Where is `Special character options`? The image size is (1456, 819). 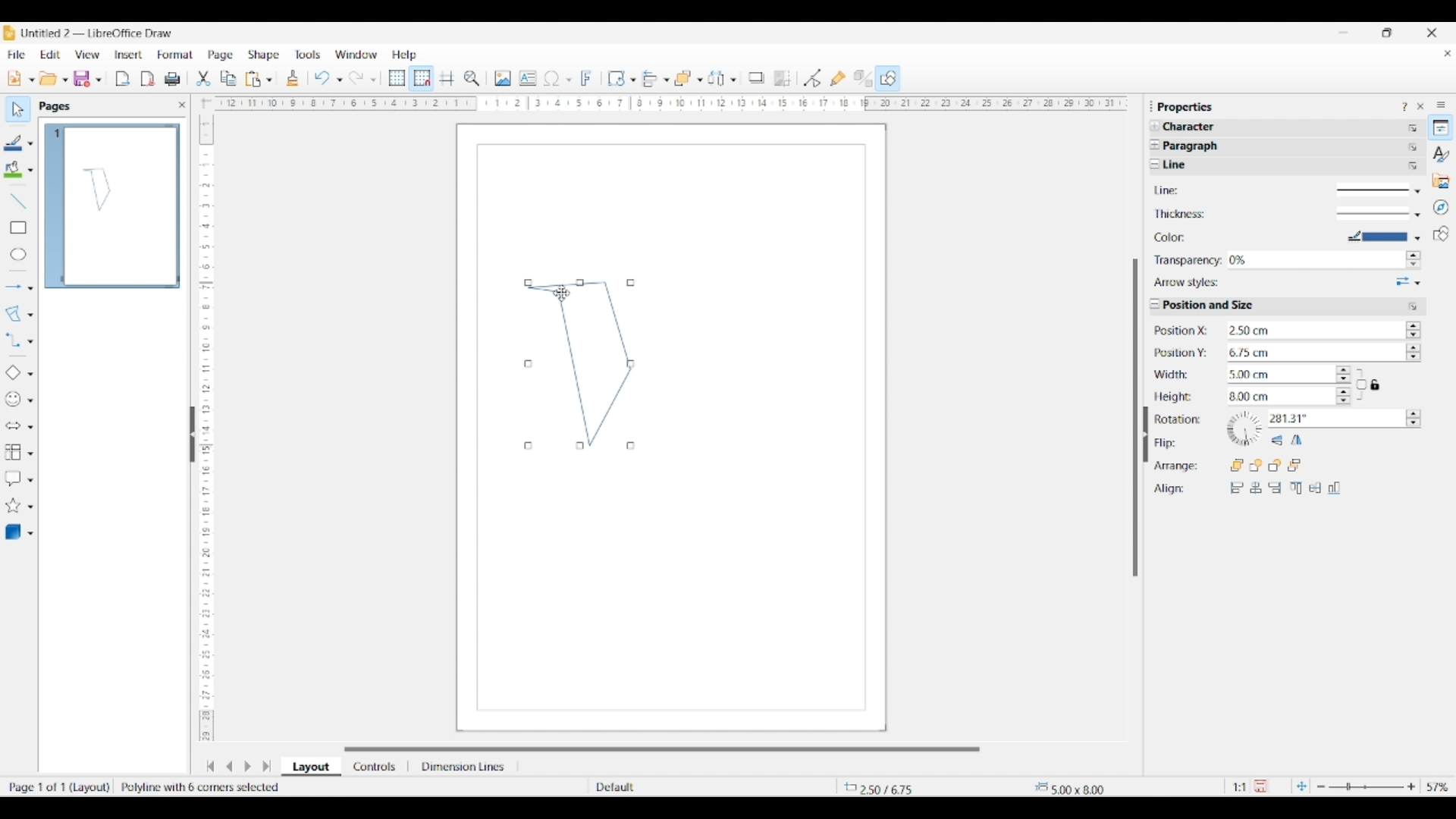 Special character options is located at coordinates (569, 80).